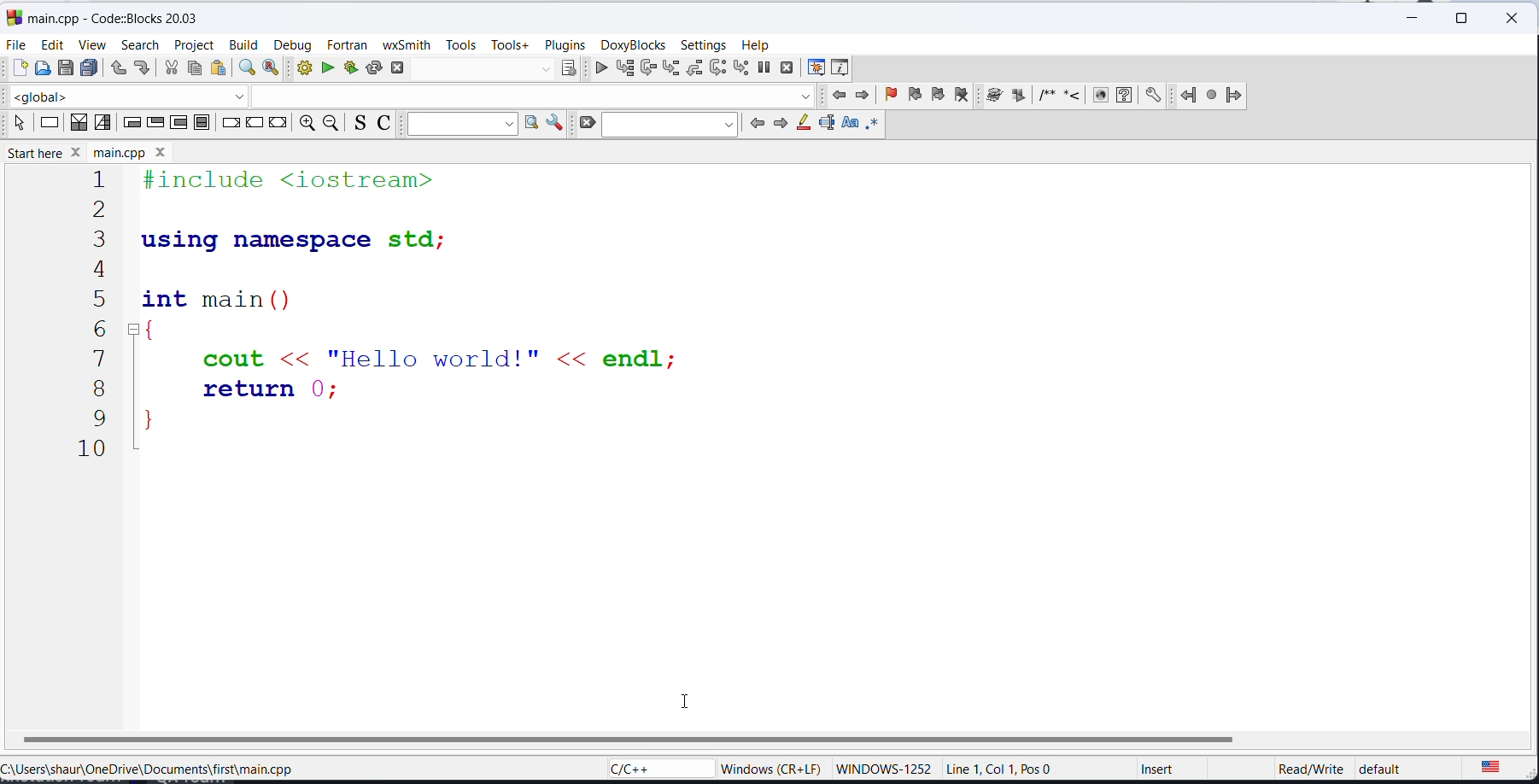  I want to click on view, so click(92, 44).